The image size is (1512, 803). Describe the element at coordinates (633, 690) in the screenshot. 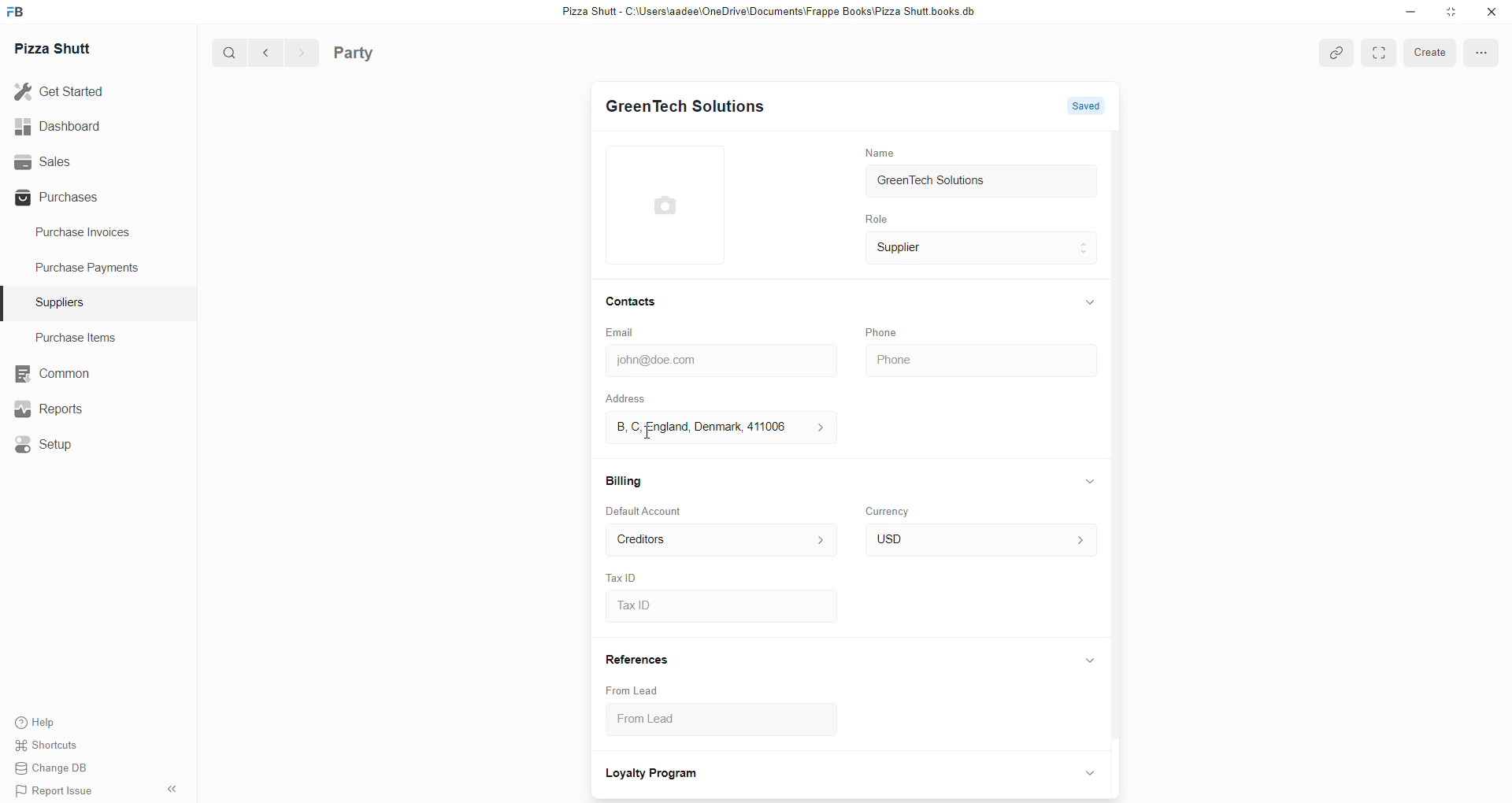

I see `From Lead` at that location.